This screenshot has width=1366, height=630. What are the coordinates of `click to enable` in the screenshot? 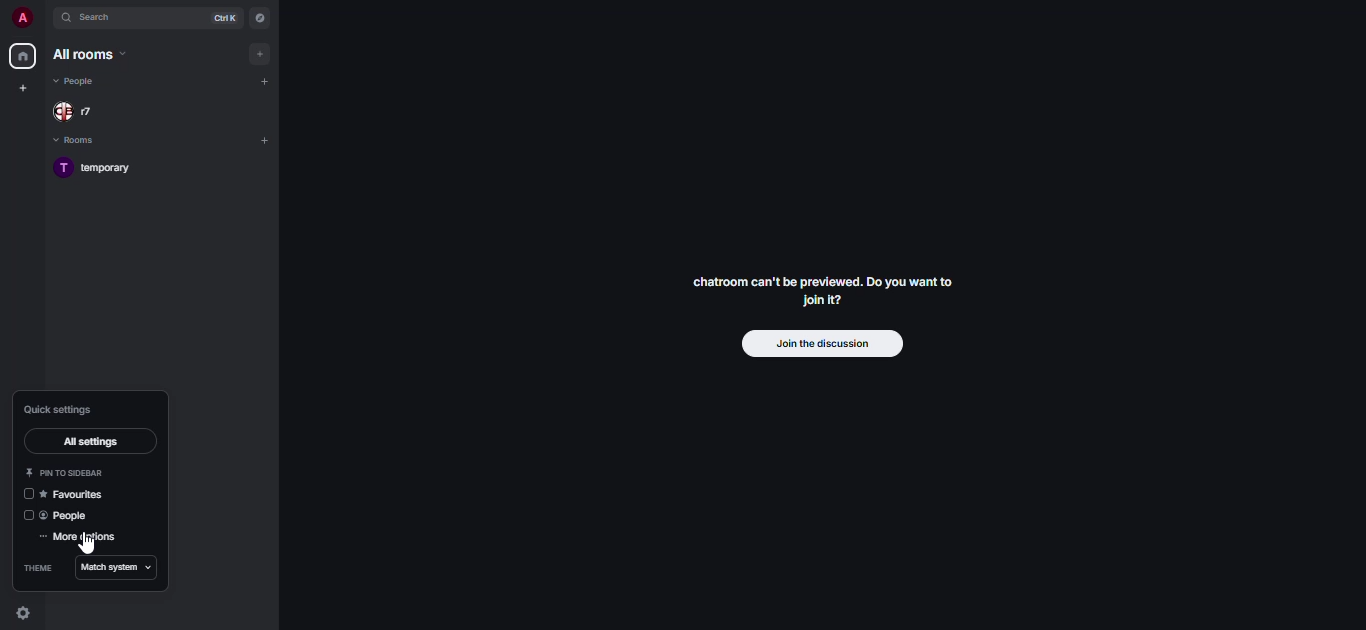 It's located at (28, 495).